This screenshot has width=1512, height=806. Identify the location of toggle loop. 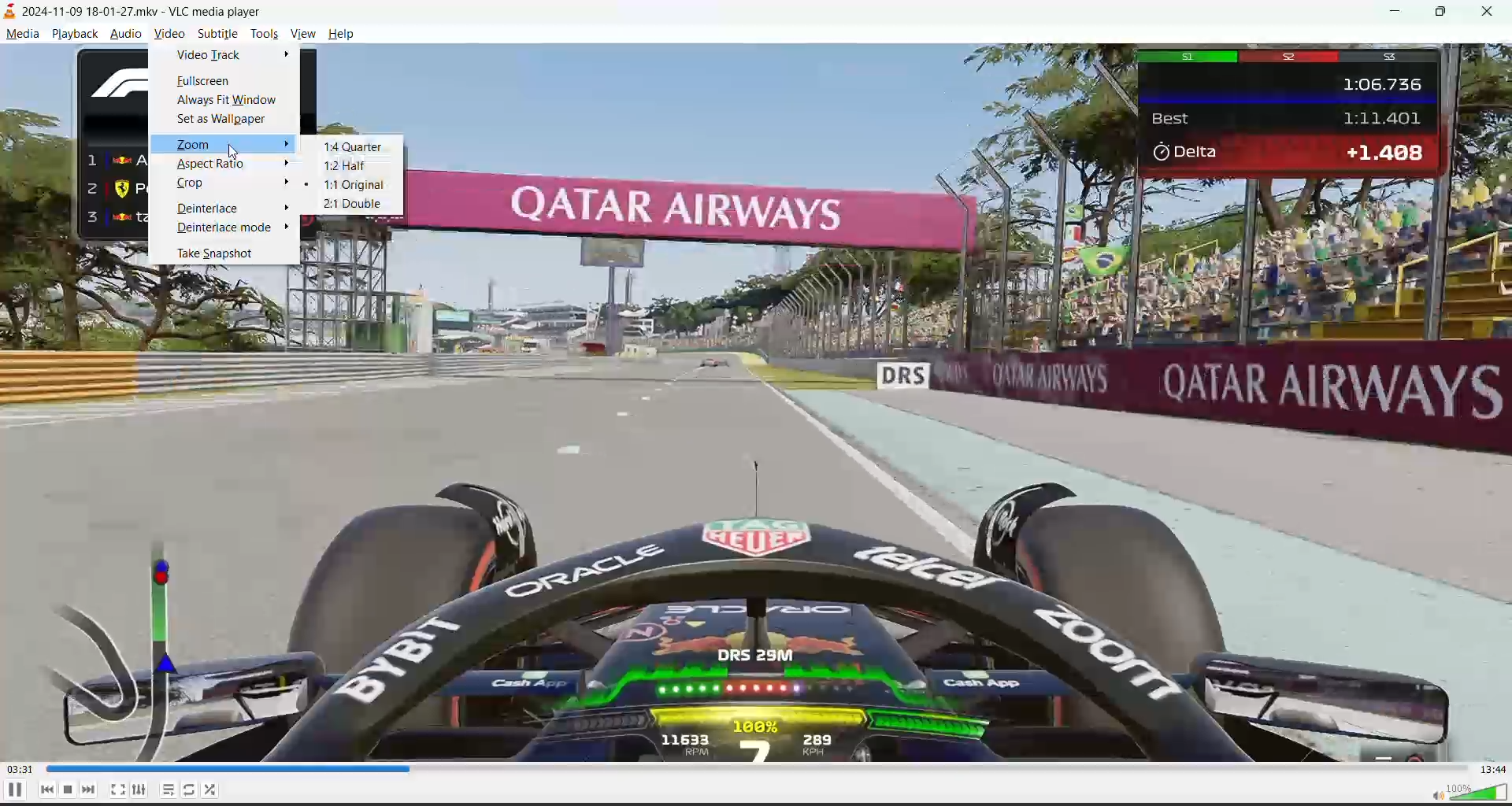
(193, 792).